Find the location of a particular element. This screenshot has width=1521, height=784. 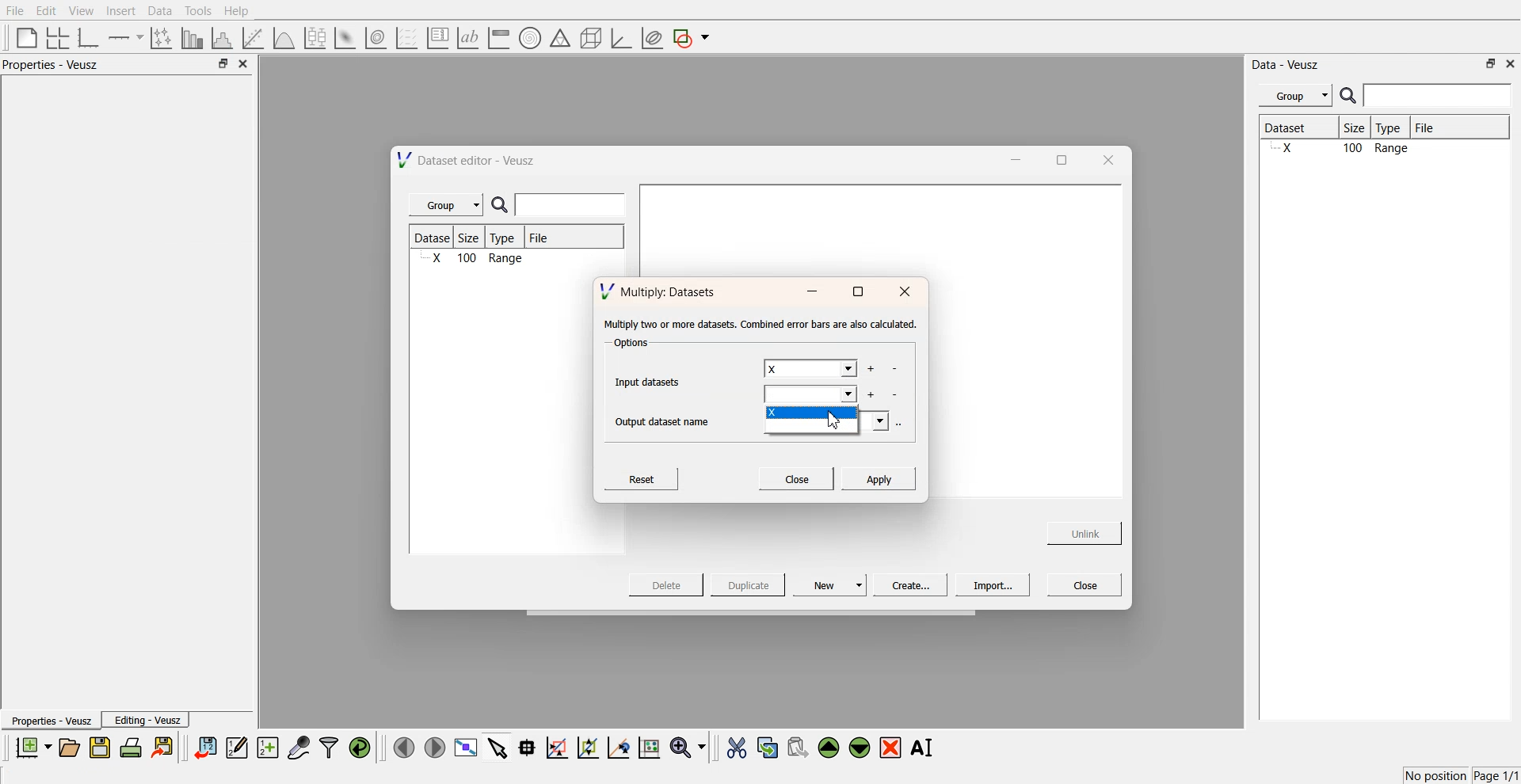

X is located at coordinates (814, 416).